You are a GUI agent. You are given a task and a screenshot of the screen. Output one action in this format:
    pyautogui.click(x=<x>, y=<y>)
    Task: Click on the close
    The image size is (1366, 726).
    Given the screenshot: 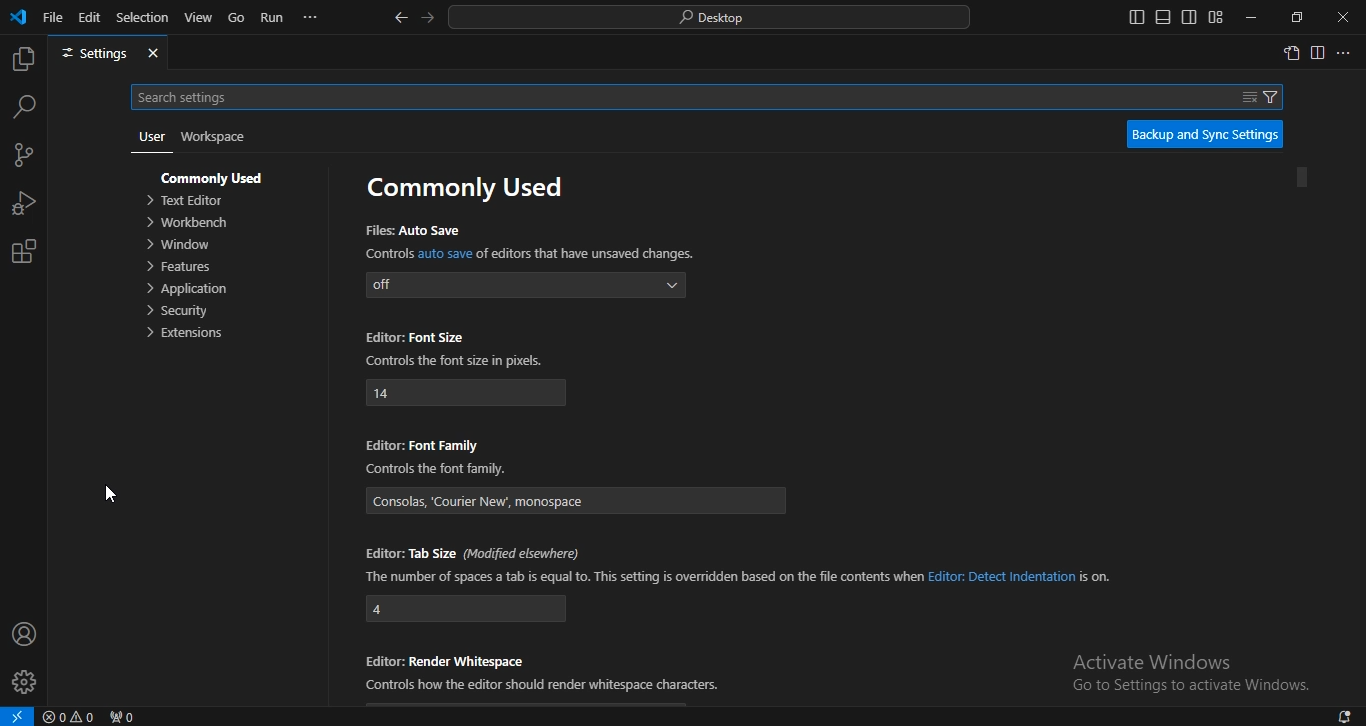 What is the action you would take?
    pyautogui.click(x=1344, y=16)
    